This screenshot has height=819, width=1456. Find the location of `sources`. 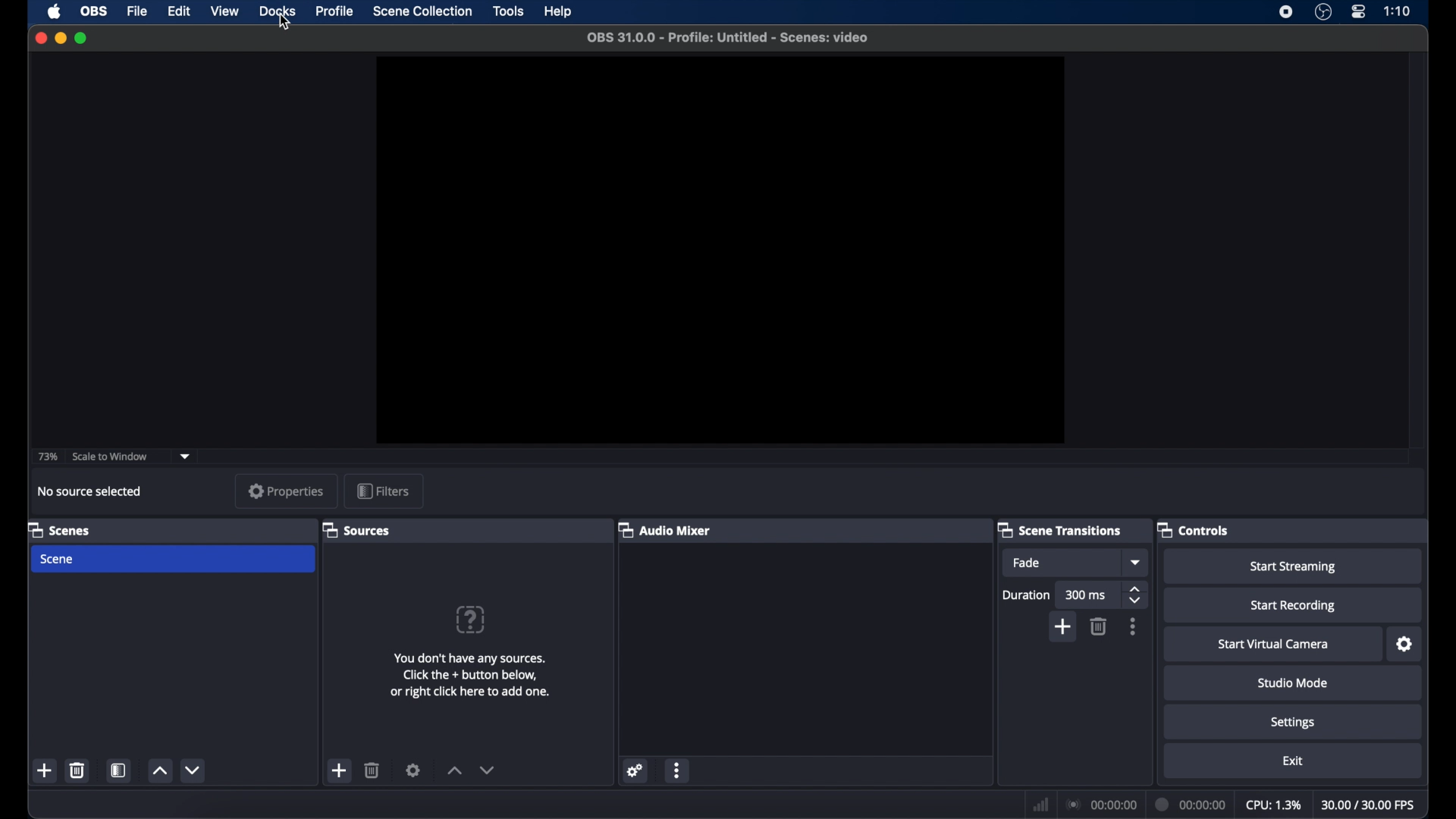

sources is located at coordinates (358, 529).